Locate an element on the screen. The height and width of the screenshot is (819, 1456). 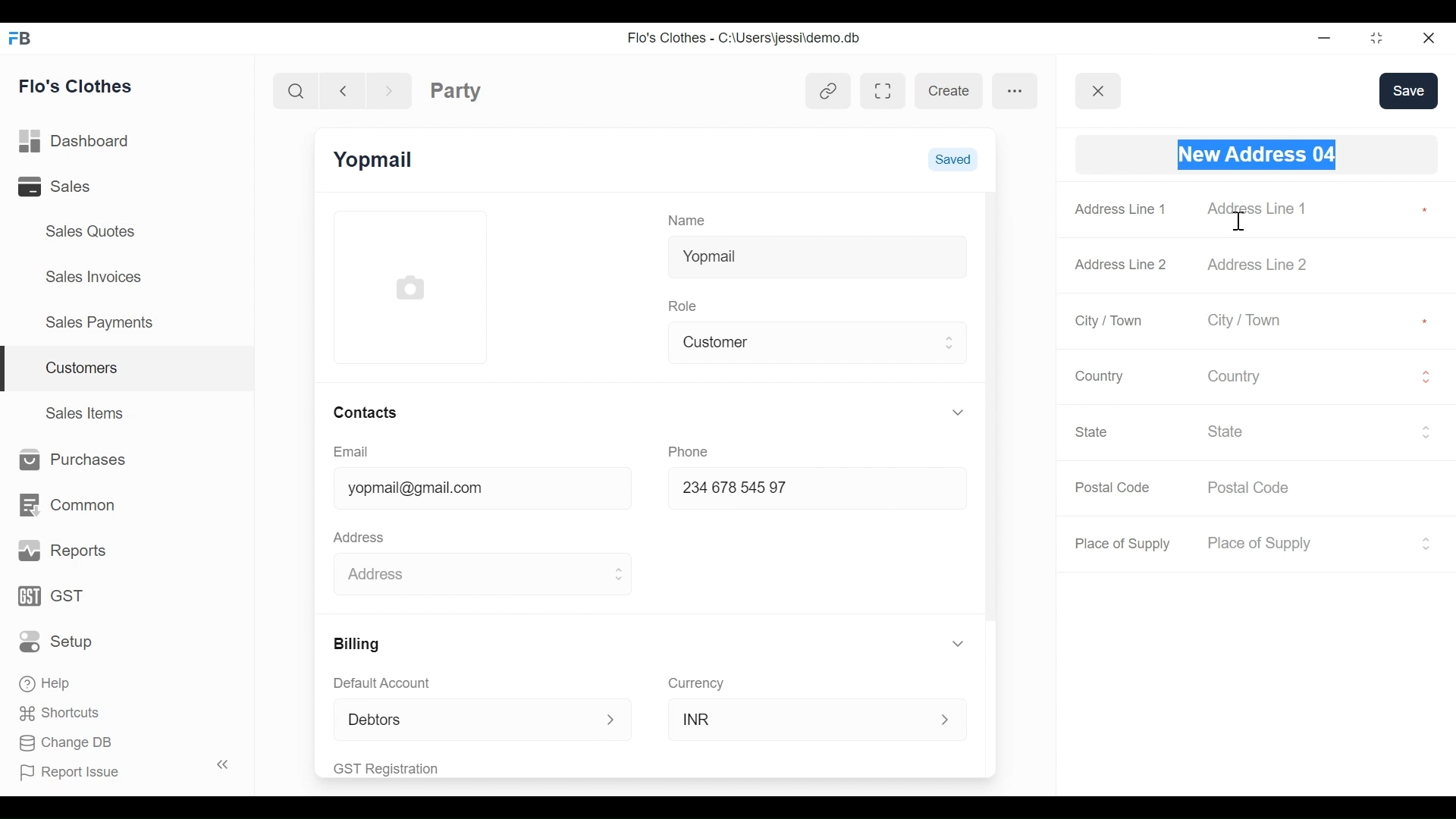
Help is located at coordinates (47, 681).